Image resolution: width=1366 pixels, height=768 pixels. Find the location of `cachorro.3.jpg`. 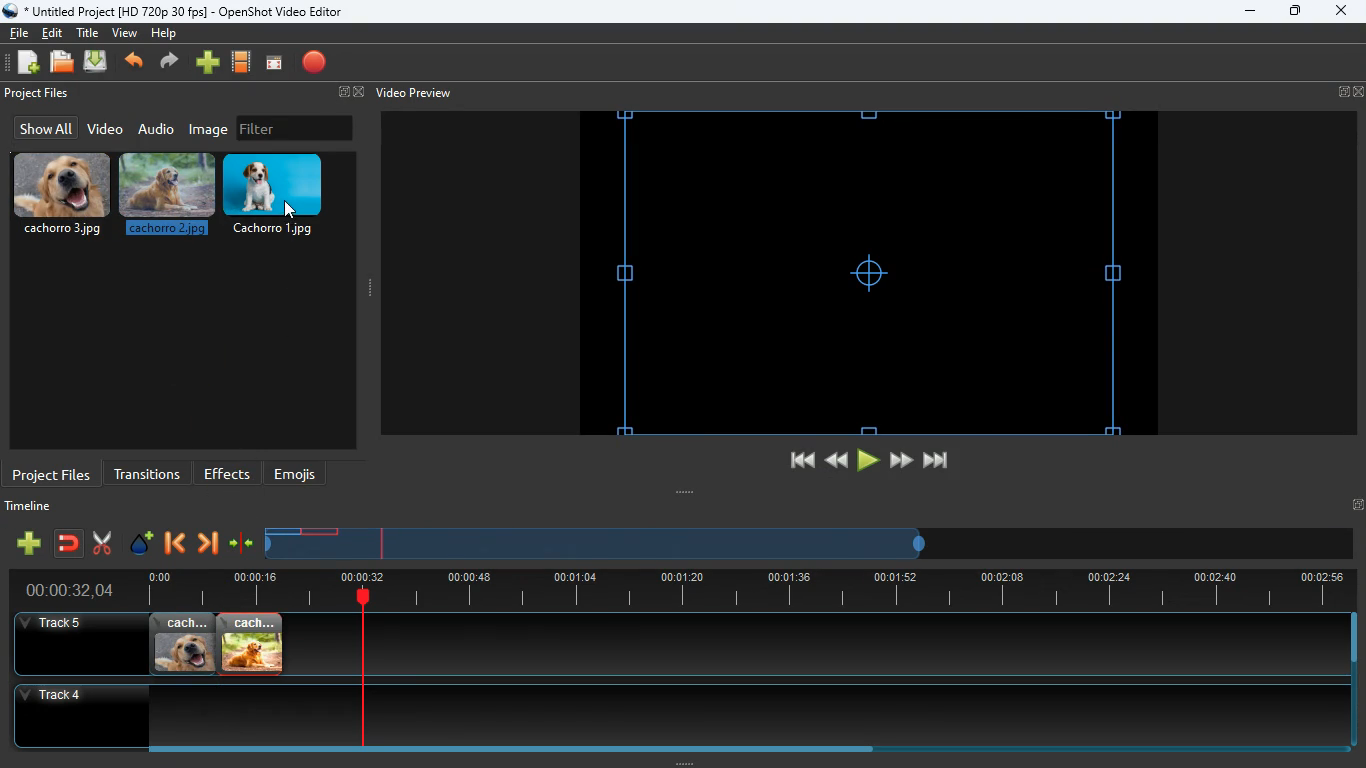

cachorro.3.jpg is located at coordinates (62, 195).